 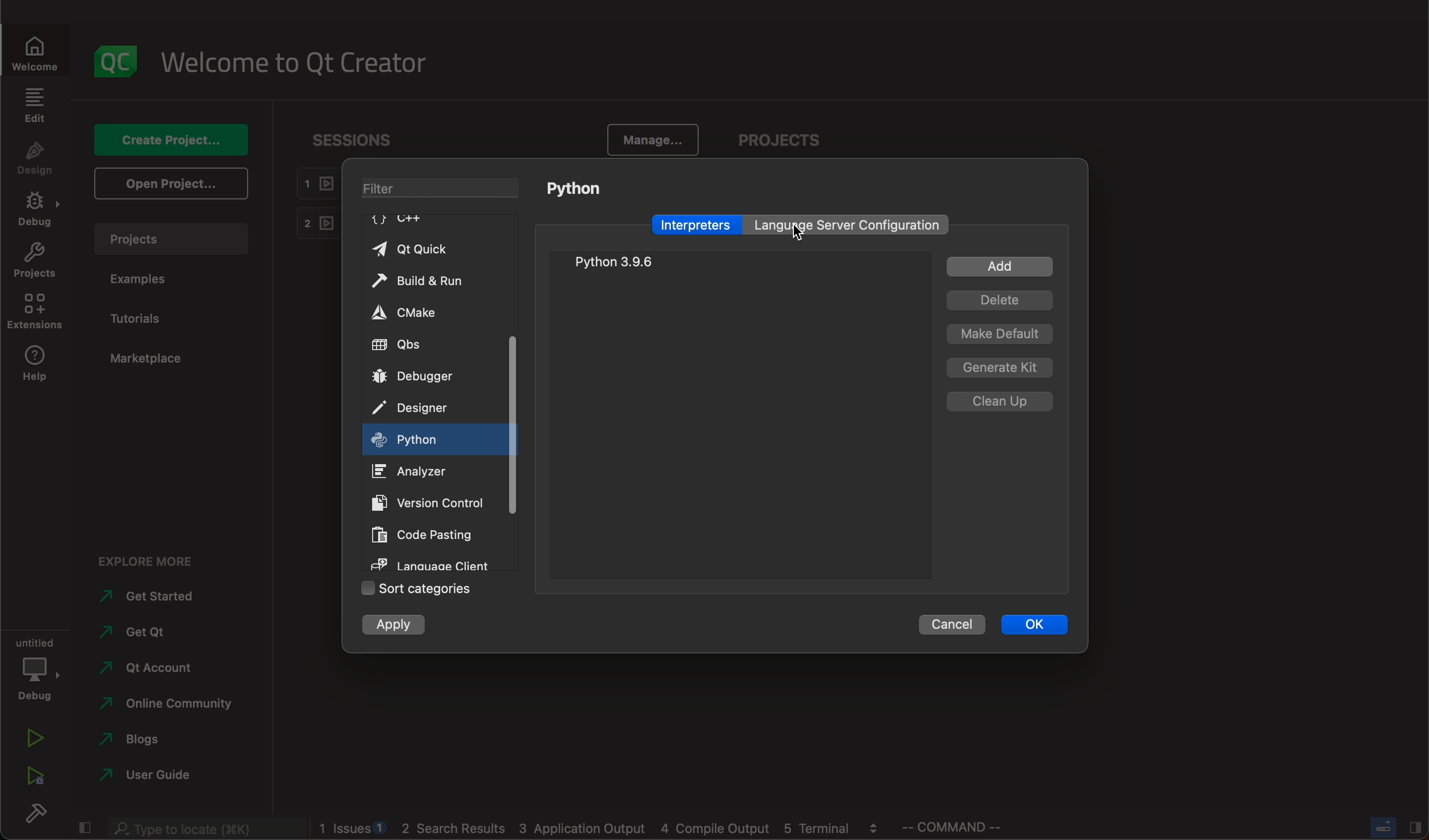 I want to click on examples, so click(x=142, y=282).